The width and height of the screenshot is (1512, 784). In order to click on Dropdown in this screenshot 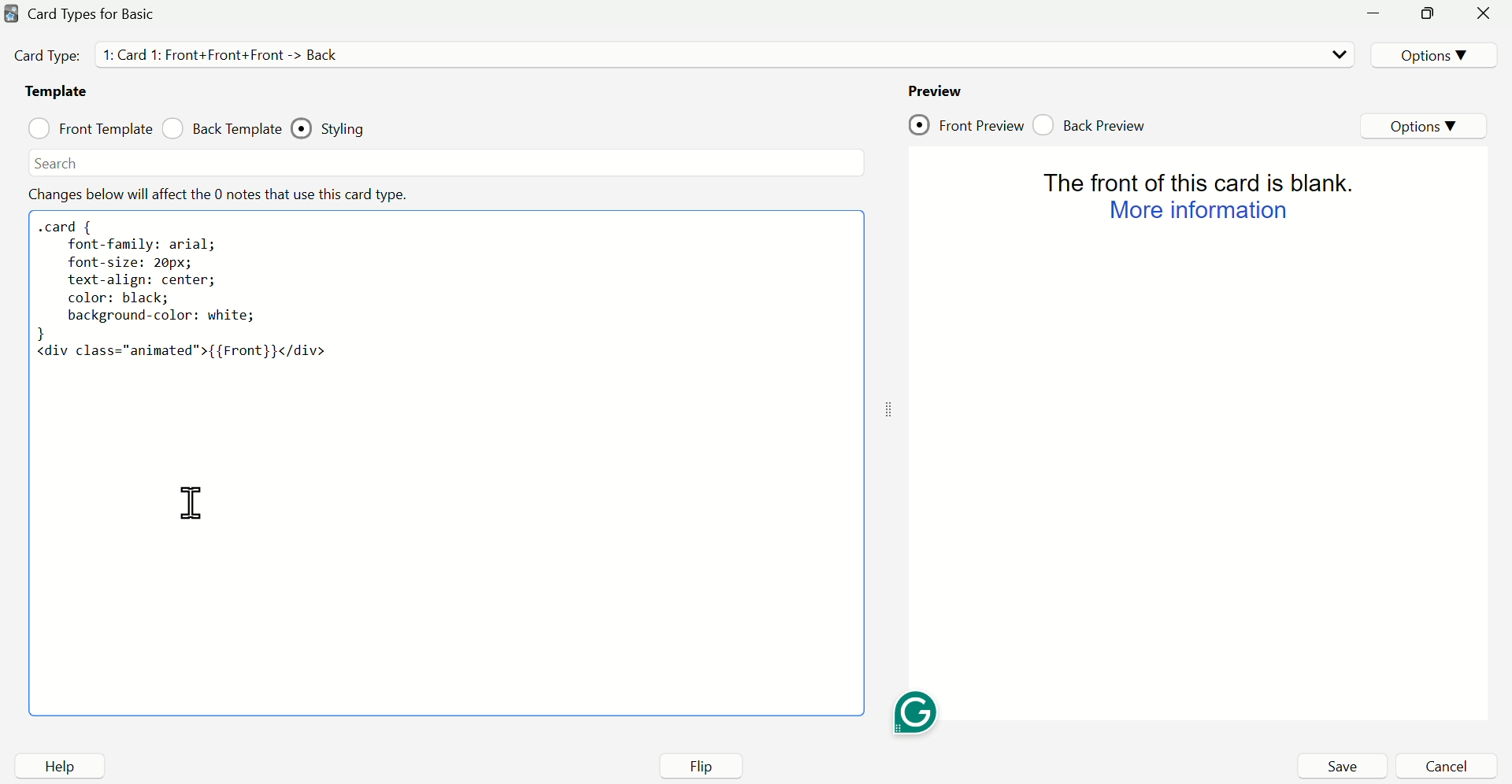, I will do `click(1336, 54)`.